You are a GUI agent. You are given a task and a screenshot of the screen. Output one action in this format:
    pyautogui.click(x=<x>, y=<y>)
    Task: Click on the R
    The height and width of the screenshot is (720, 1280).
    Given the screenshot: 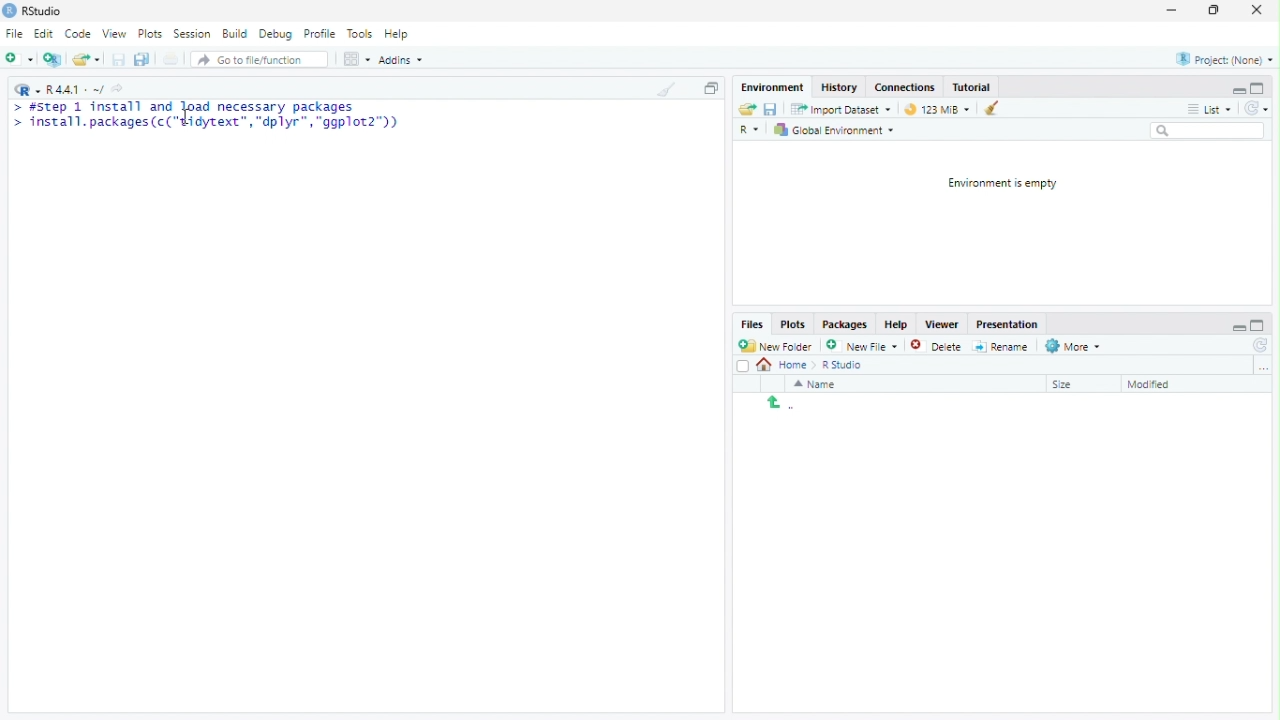 What is the action you would take?
    pyautogui.click(x=752, y=131)
    